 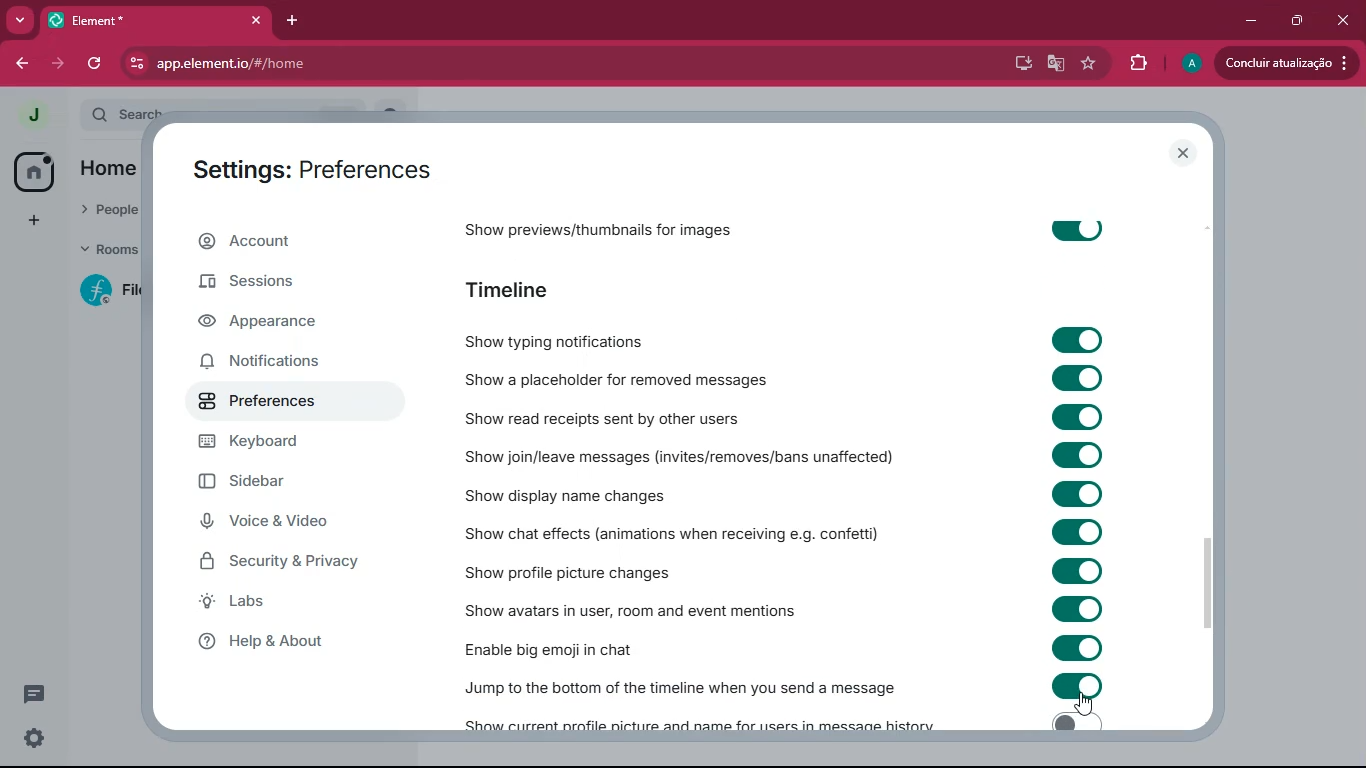 I want to click on j, so click(x=24, y=115).